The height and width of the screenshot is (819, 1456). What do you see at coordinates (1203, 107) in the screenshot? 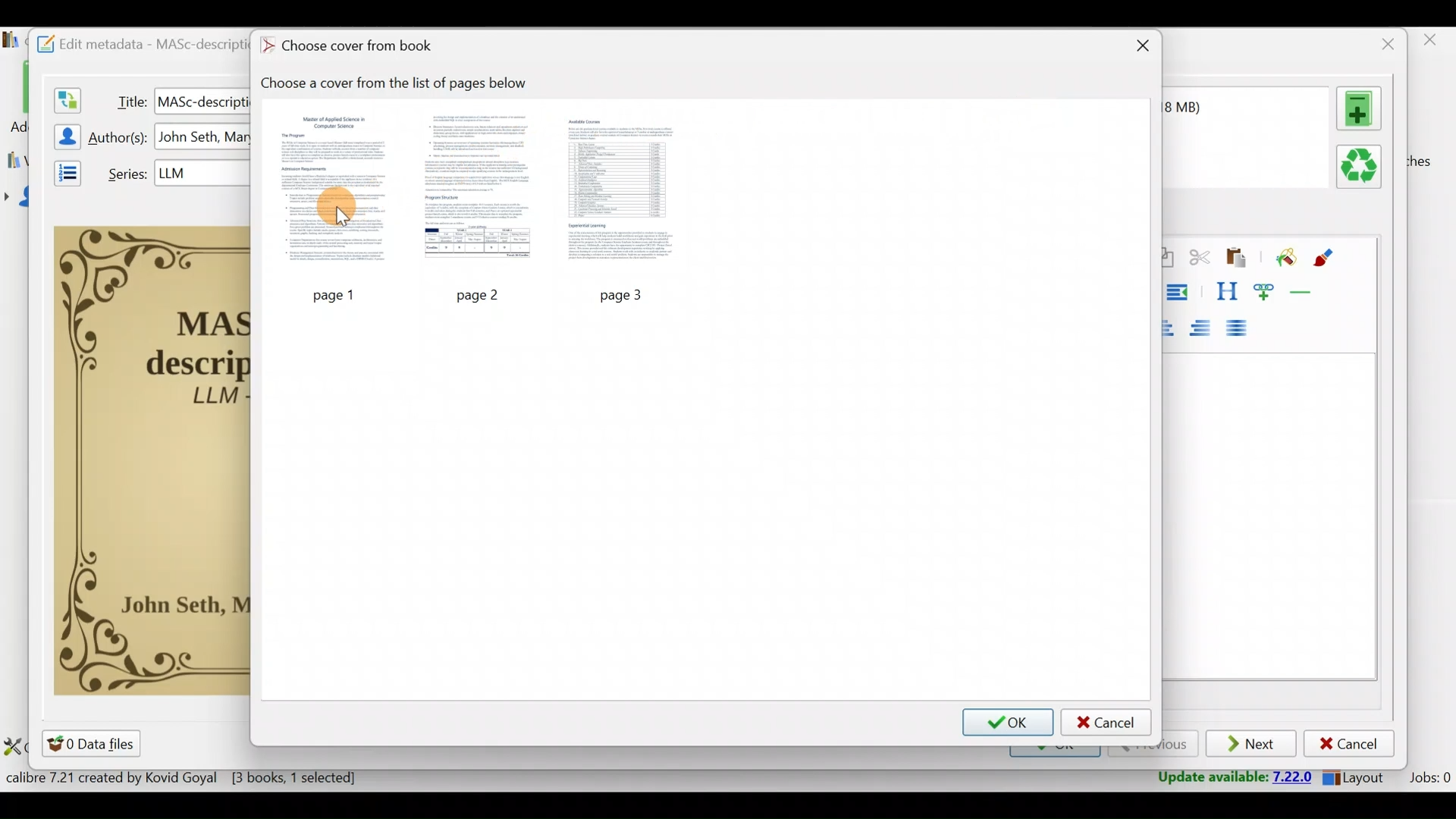
I see `Last modified` at bounding box center [1203, 107].